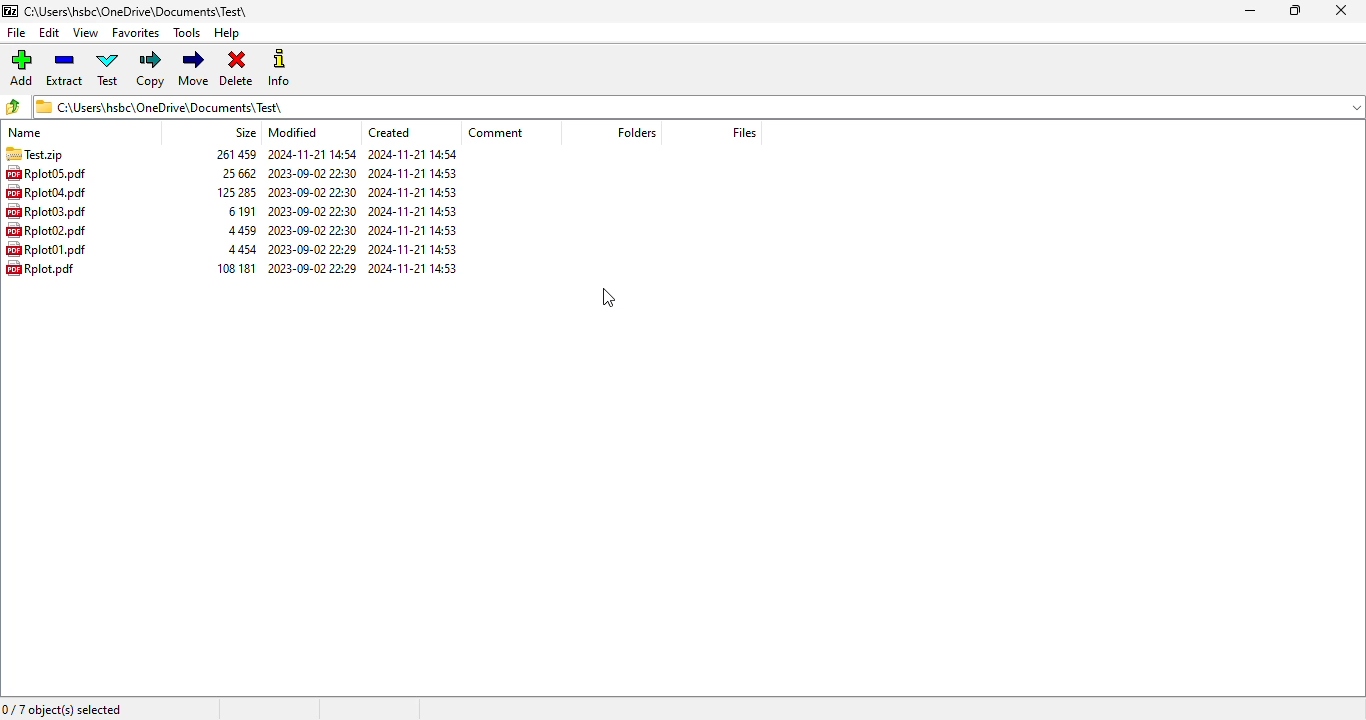 This screenshot has height=720, width=1366. What do you see at coordinates (412, 155) in the screenshot?
I see `created date & time` at bounding box center [412, 155].